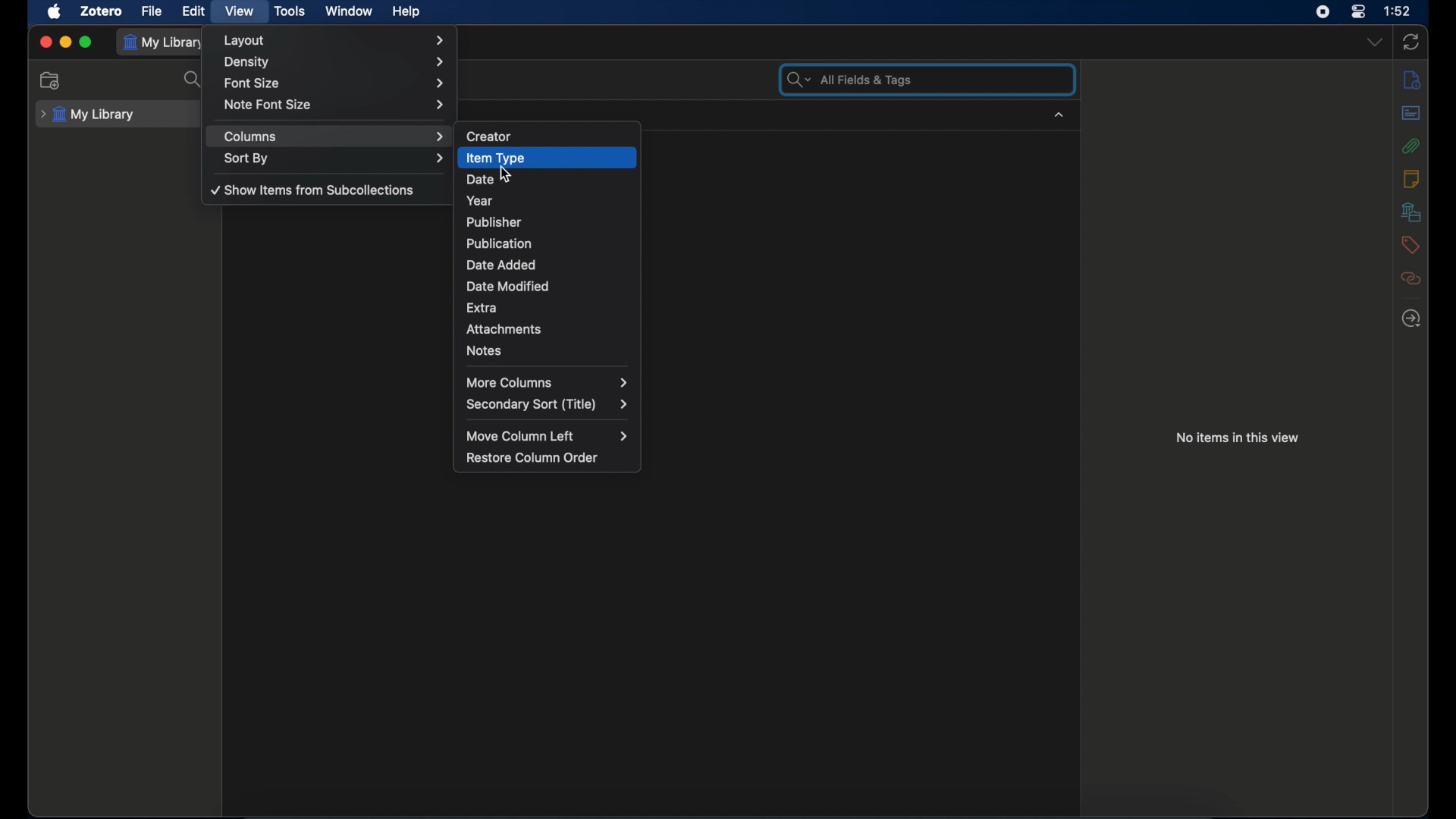 The image size is (1456, 819). Describe the element at coordinates (1412, 212) in the screenshot. I see `libraries` at that location.